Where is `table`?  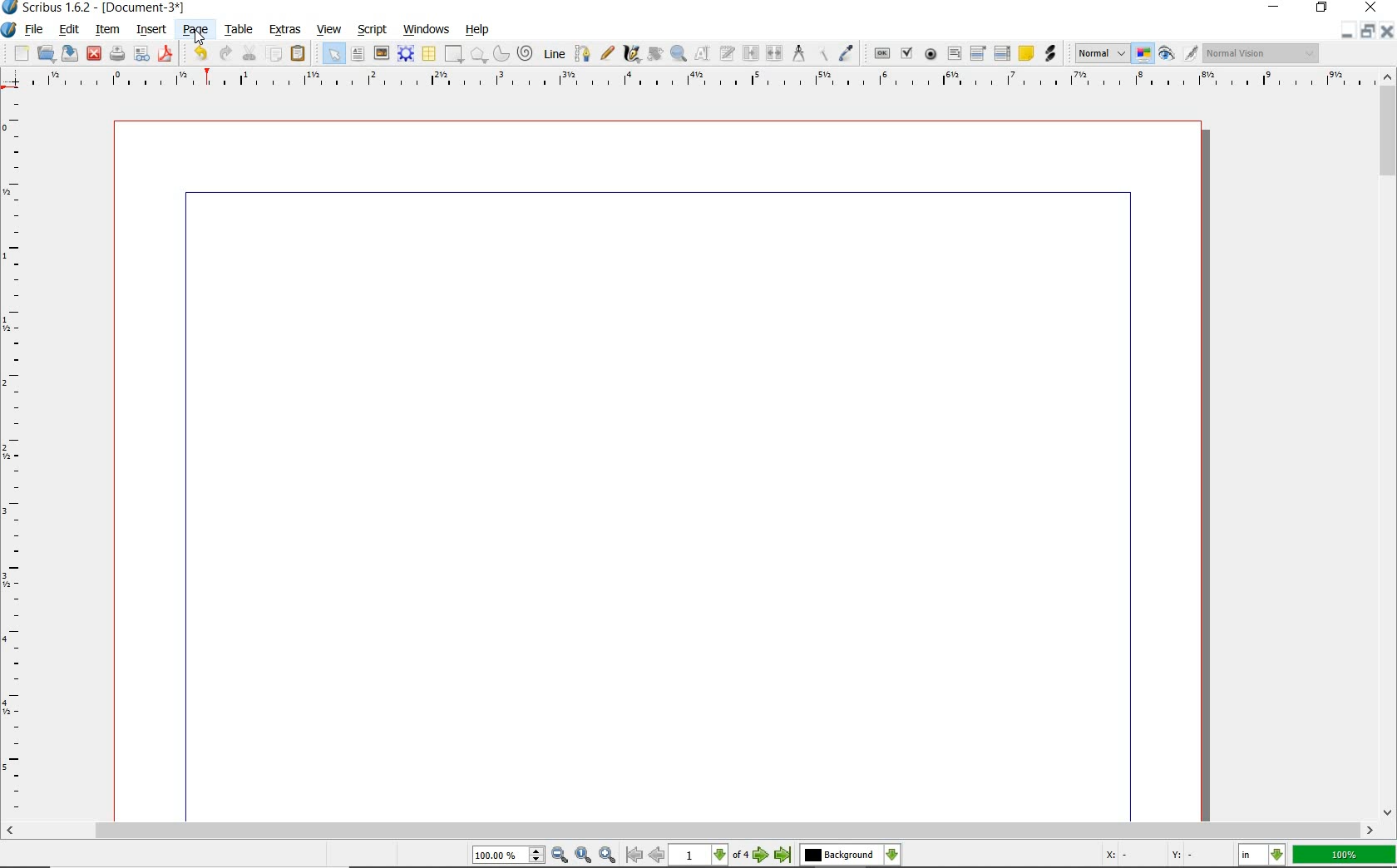
table is located at coordinates (238, 30).